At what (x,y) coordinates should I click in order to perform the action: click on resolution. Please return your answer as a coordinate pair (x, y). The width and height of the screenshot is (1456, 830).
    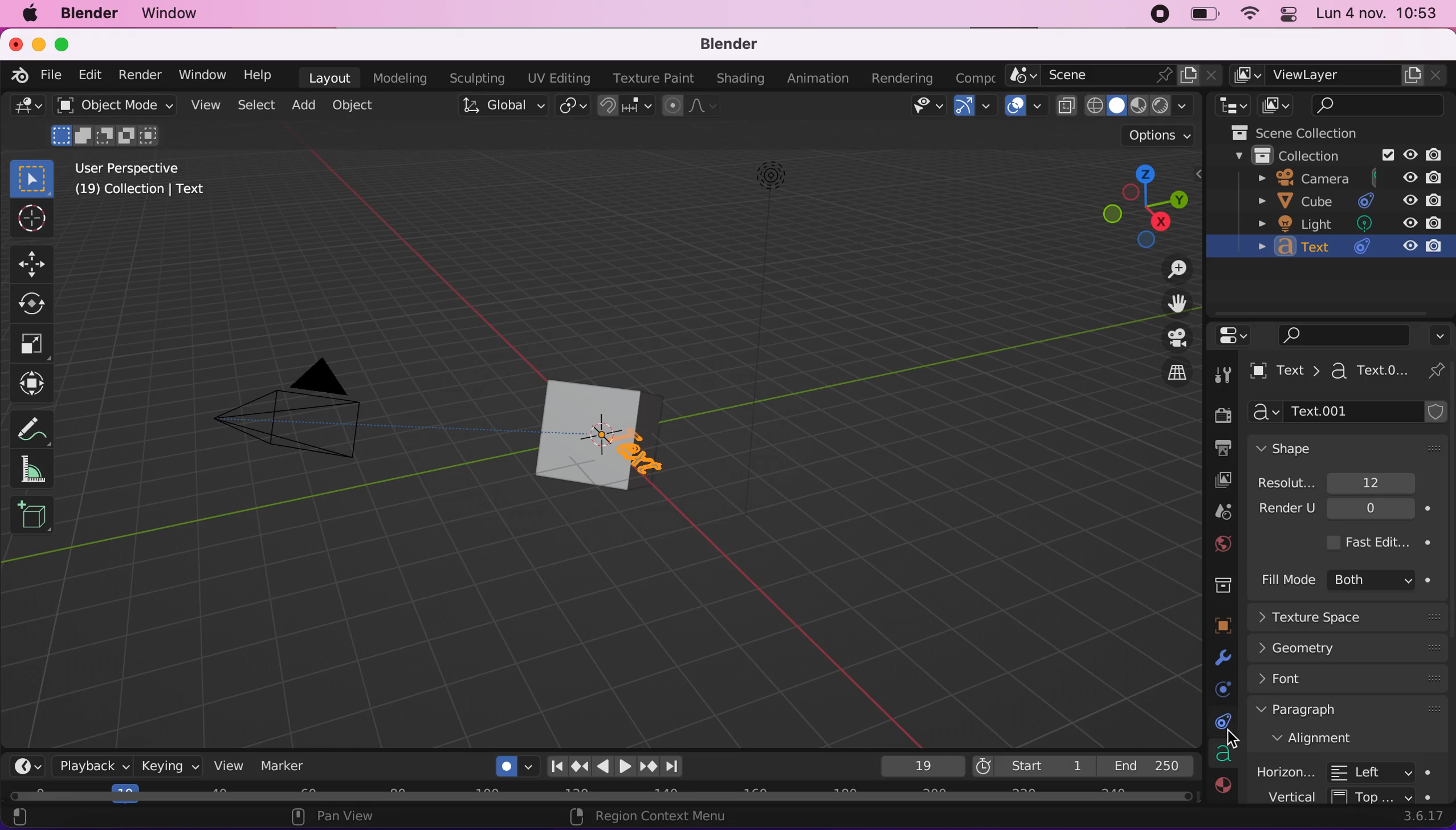
    Looking at the image, I should click on (1345, 483).